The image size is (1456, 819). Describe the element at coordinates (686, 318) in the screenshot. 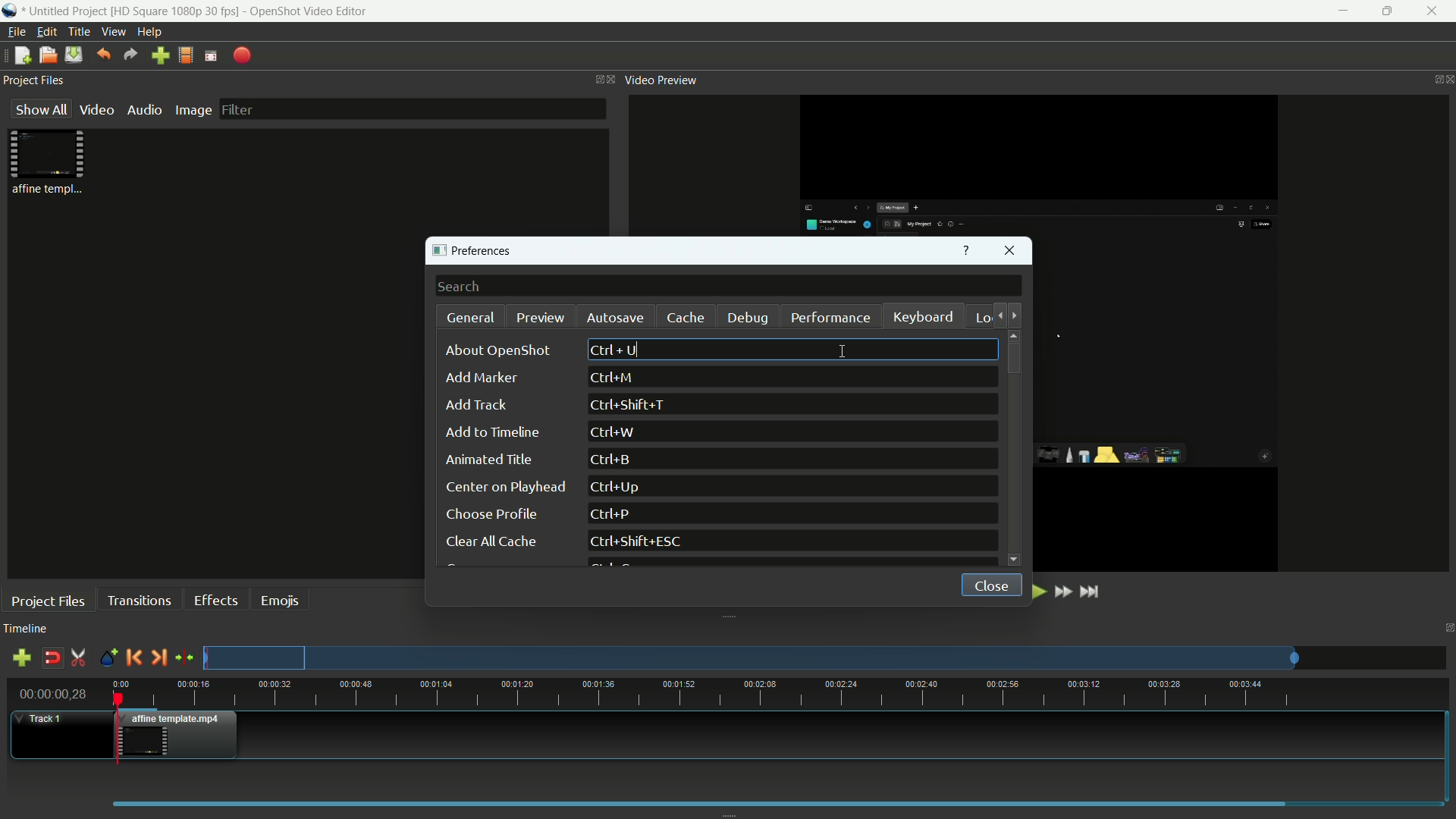

I see `cache` at that location.